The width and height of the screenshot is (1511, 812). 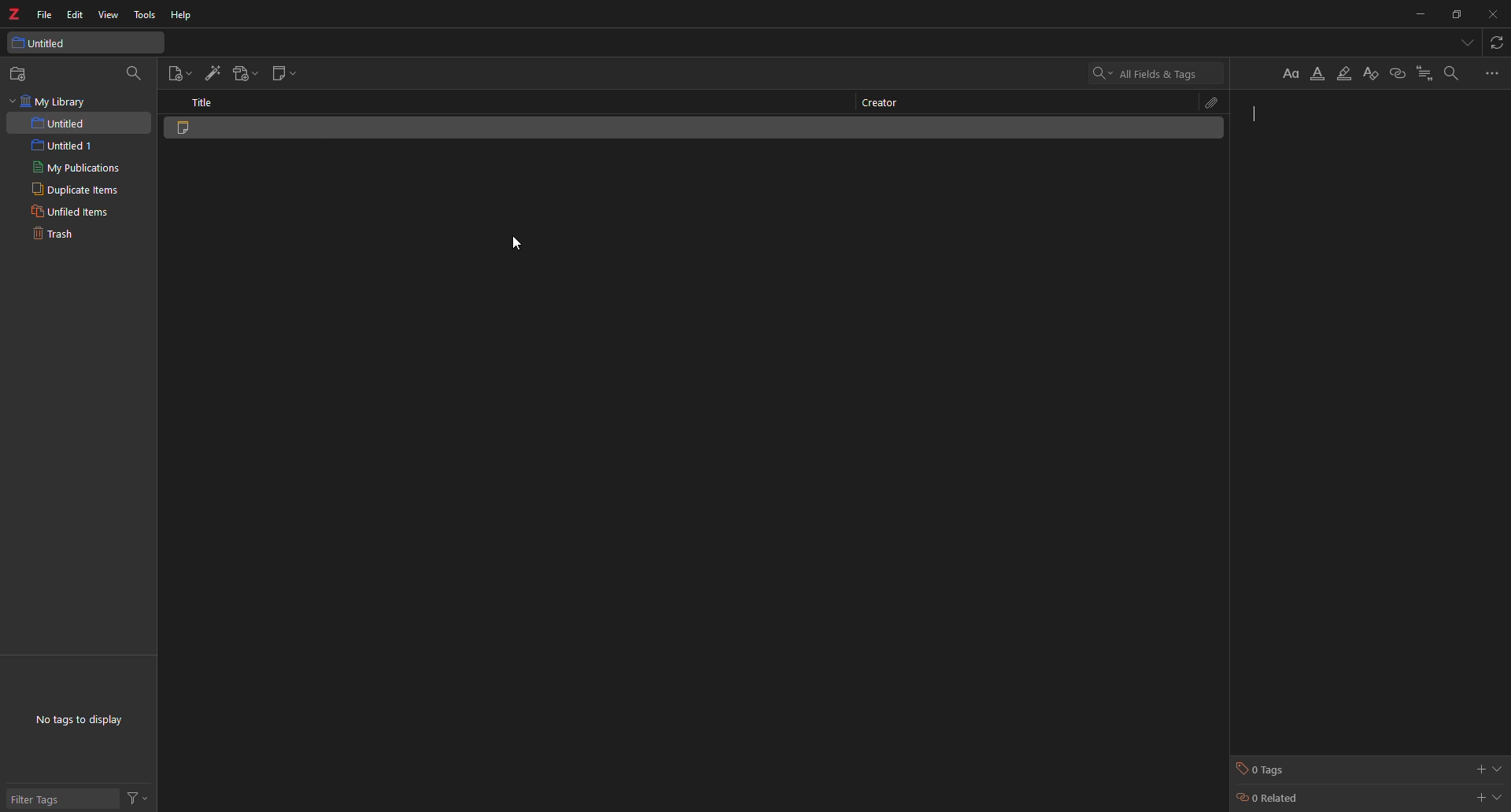 I want to click on tabs, so click(x=1469, y=42).